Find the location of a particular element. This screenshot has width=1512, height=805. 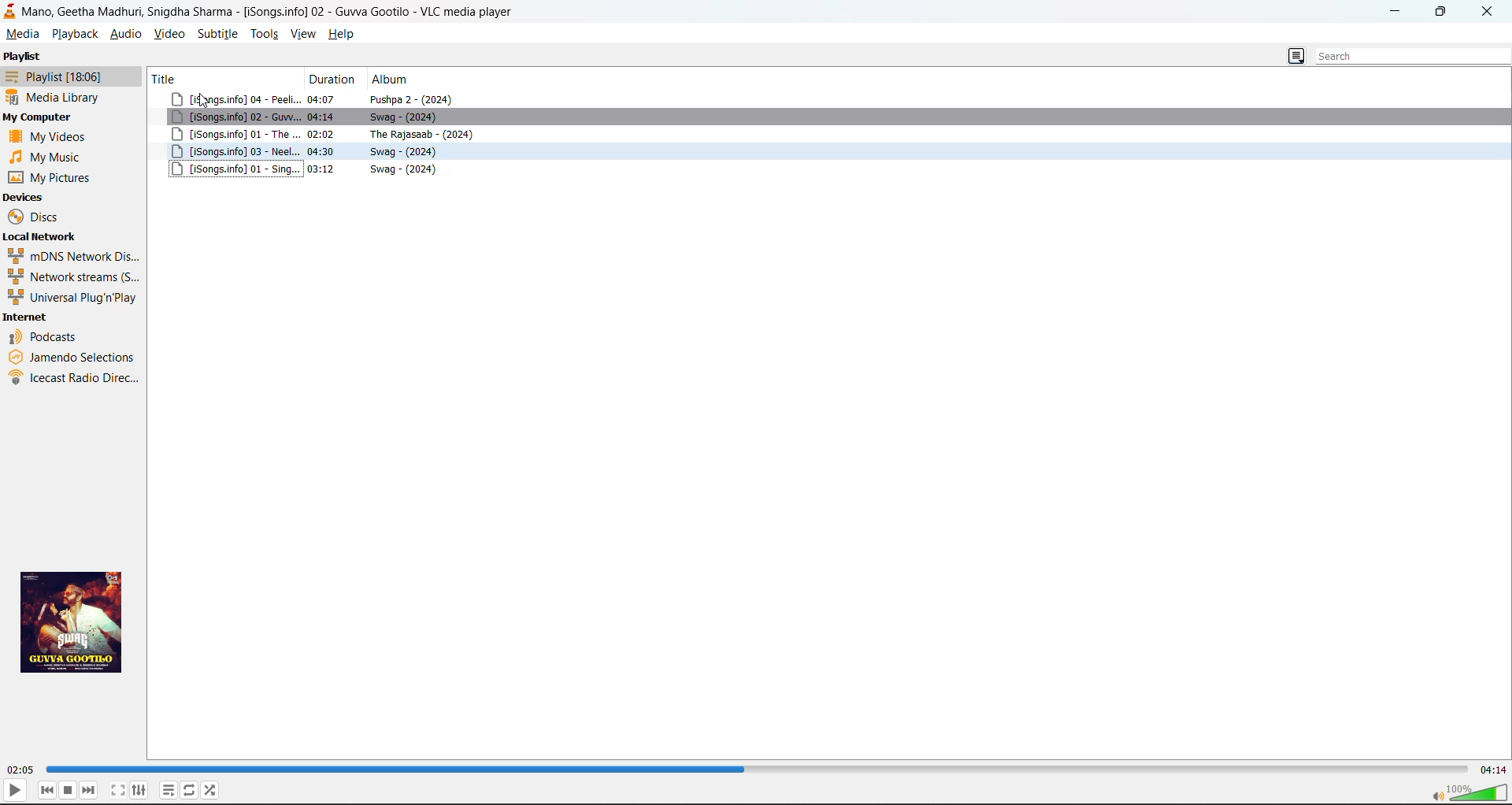

universal plug n play is located at coordinates (71, 298).